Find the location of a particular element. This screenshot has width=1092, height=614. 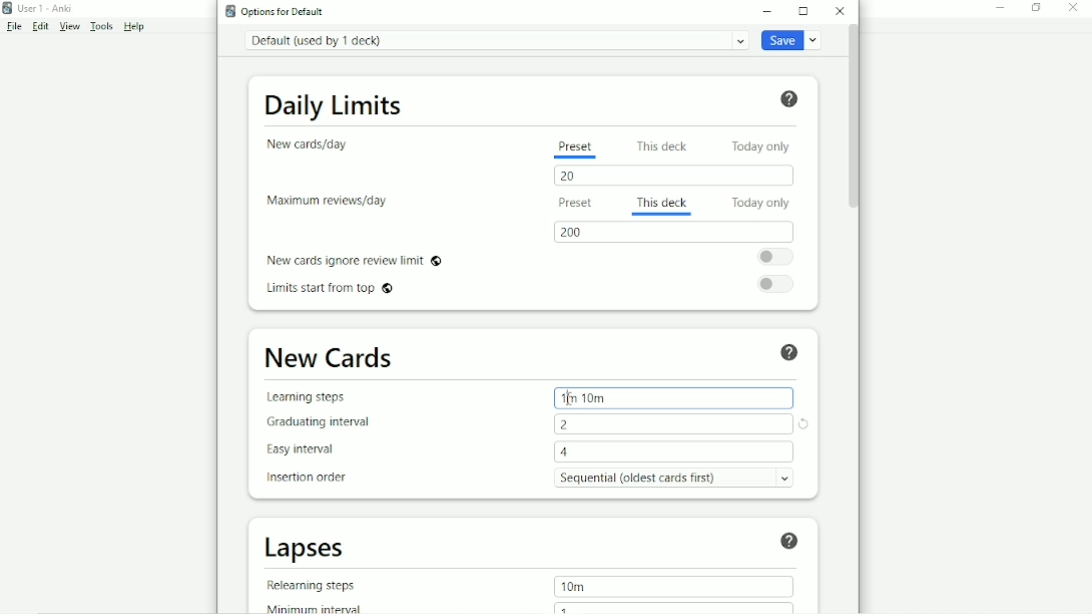

Preset is located at coordinates (576, 203).